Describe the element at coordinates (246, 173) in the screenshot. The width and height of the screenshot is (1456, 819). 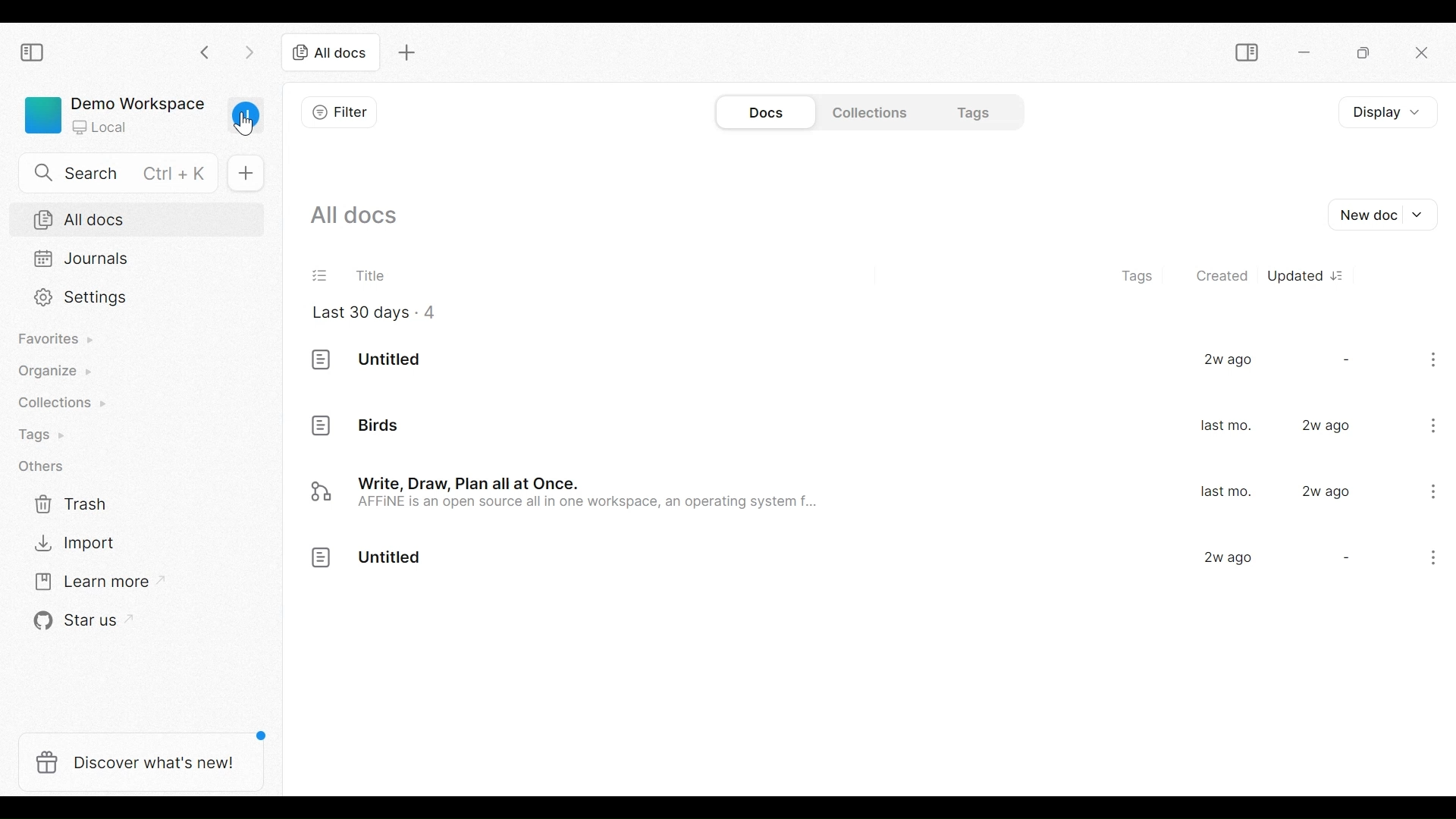
I see `Add ` at that location.